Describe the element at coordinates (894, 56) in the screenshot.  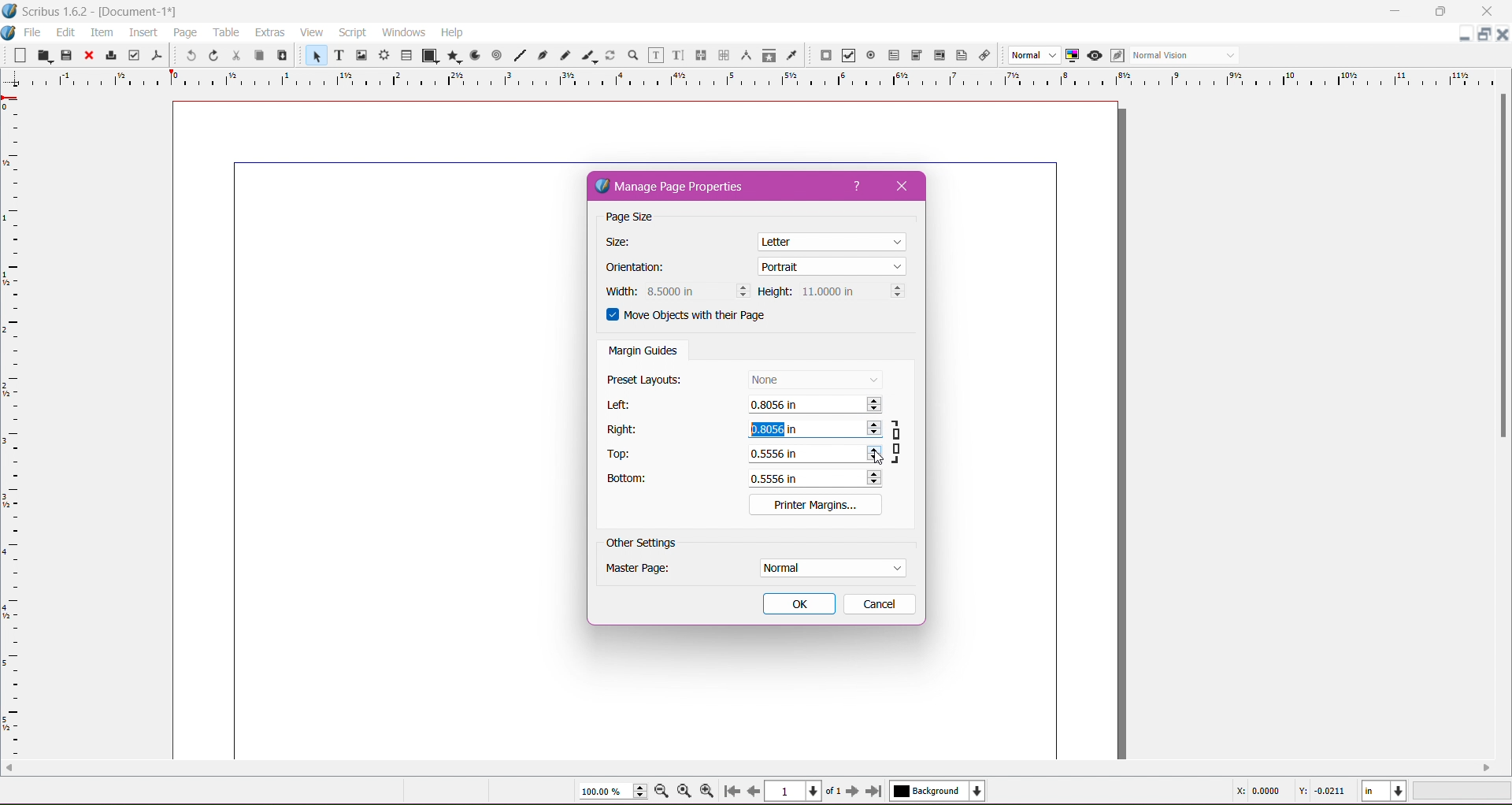
I see `PDF Text Field` at that location.